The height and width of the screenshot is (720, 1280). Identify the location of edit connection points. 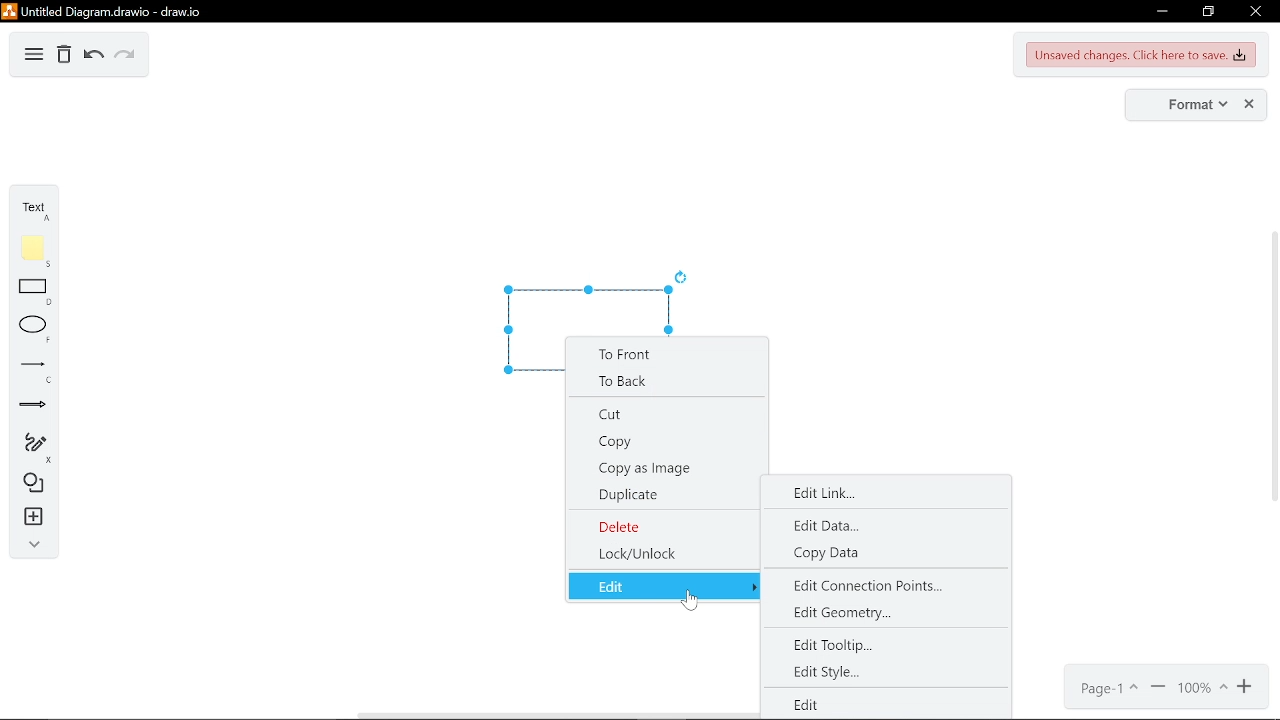
(862, 590).